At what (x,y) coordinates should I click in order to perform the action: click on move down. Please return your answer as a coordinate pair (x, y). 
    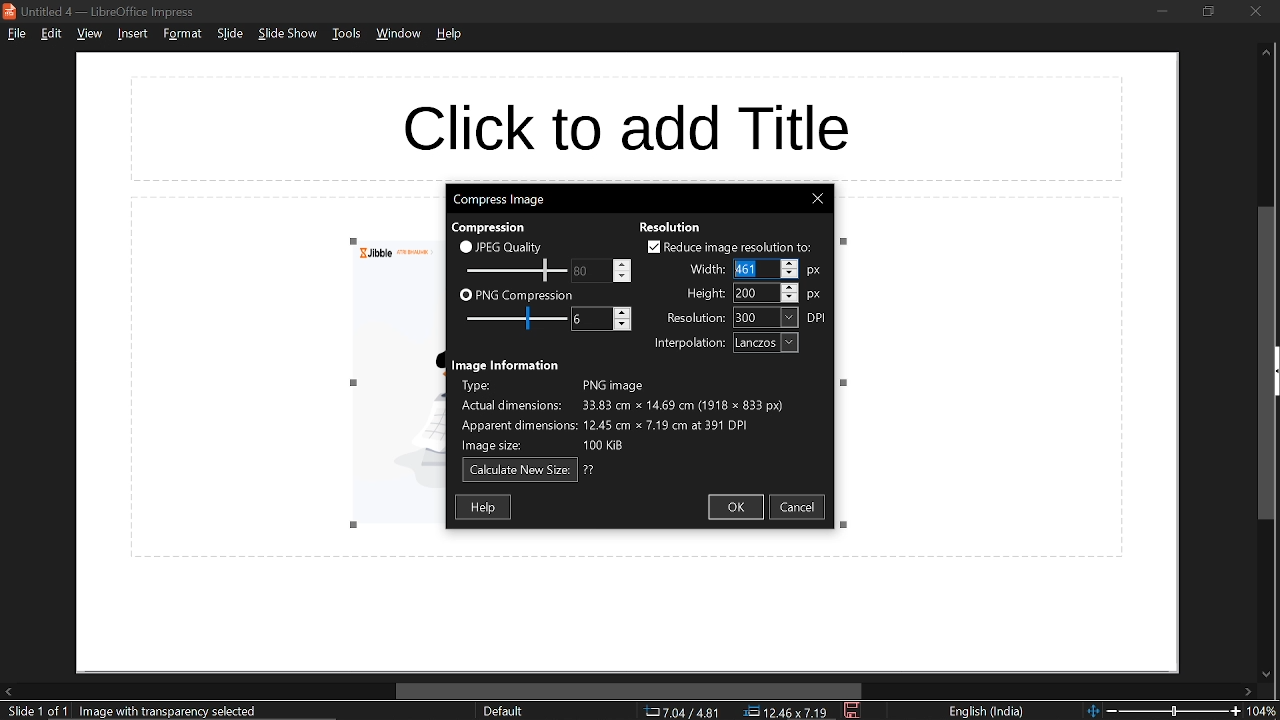
    Looking at the image, I should click on (1264, 672).